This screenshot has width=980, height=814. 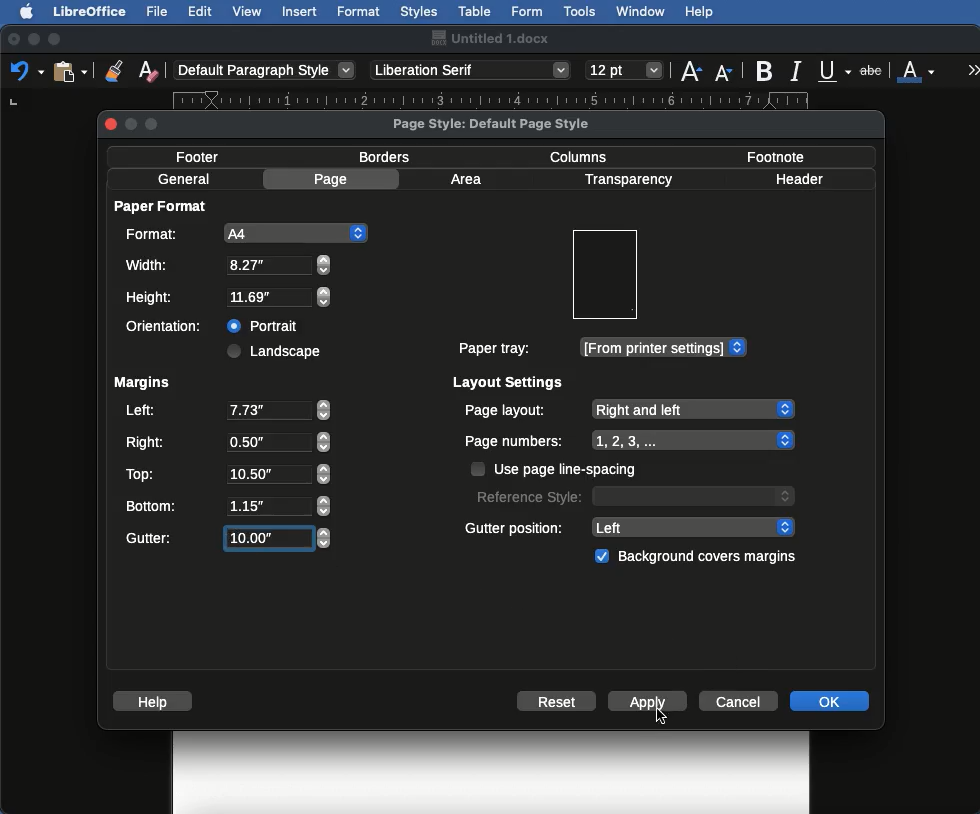 What do you see at coordinates (225, 474) in the screenshot?
I see `Top` at bounding box center [225, 474].